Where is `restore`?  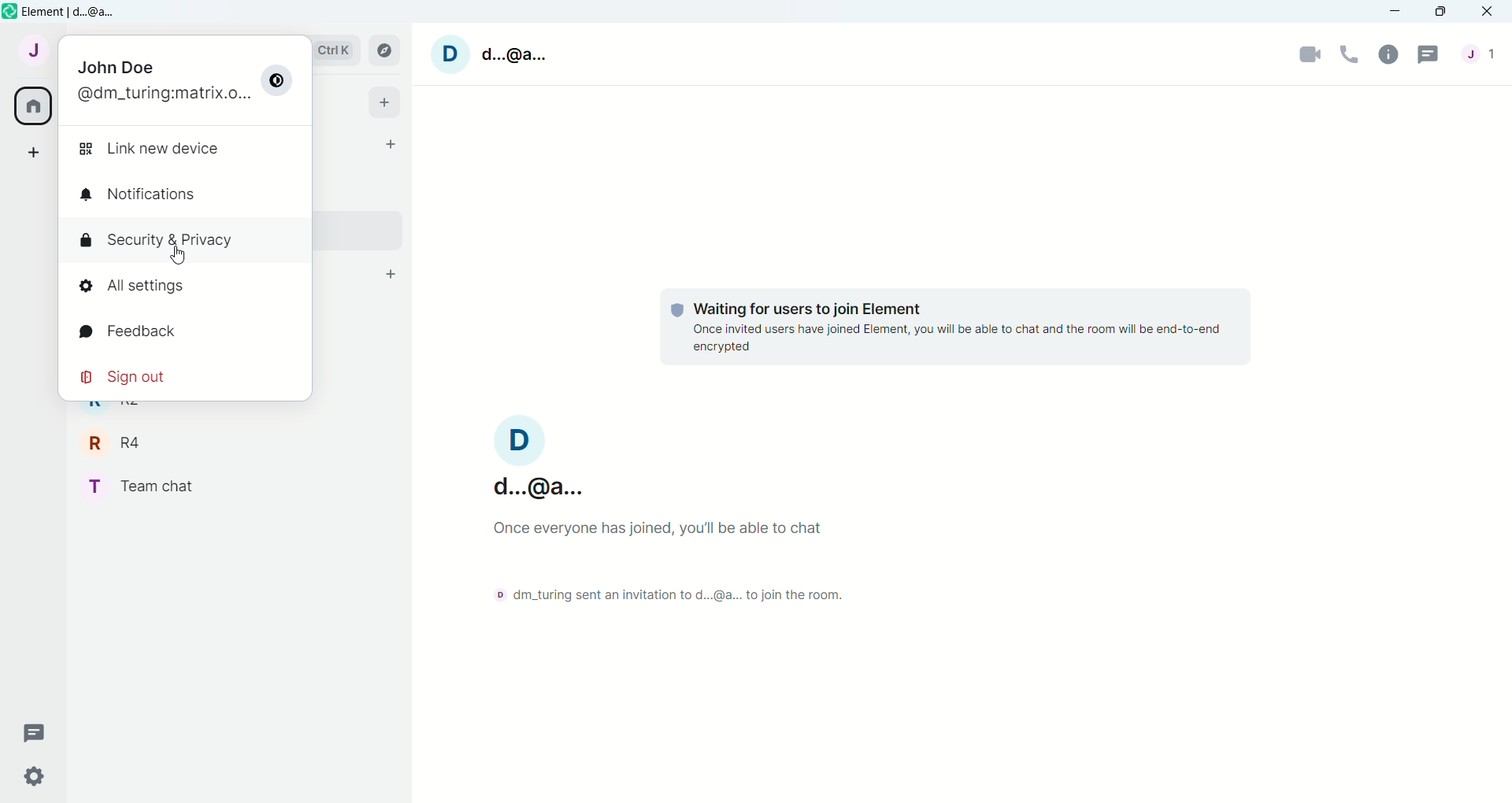 restore is located at coordinates (1441, 13).